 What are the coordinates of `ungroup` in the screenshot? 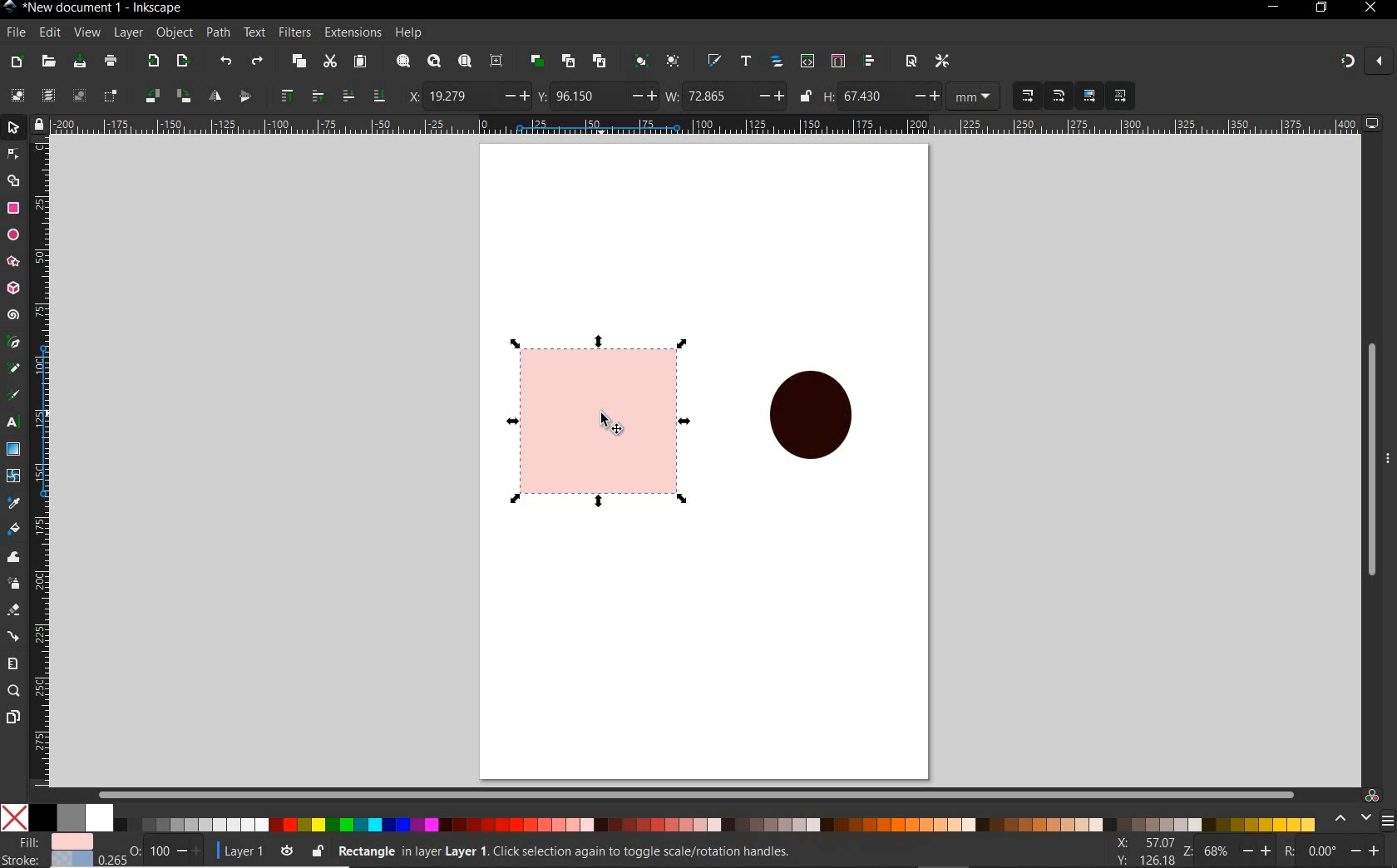 It's located at (674, 61).